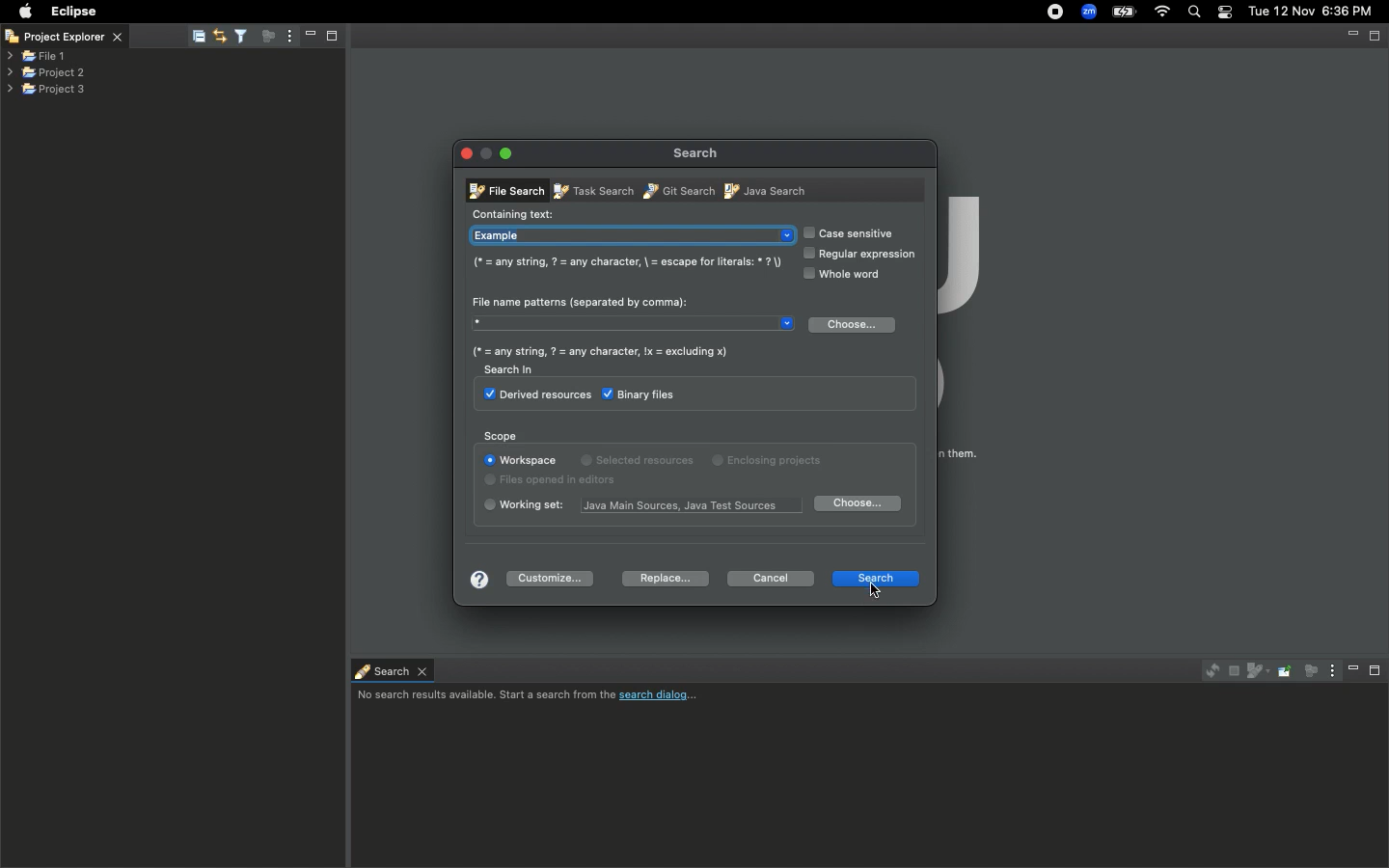 This screenshot has height=868, width=1389. What do you see at coordinates (404, 12) in the screenshot?
I see `Run` at bounding box center [404, 12].